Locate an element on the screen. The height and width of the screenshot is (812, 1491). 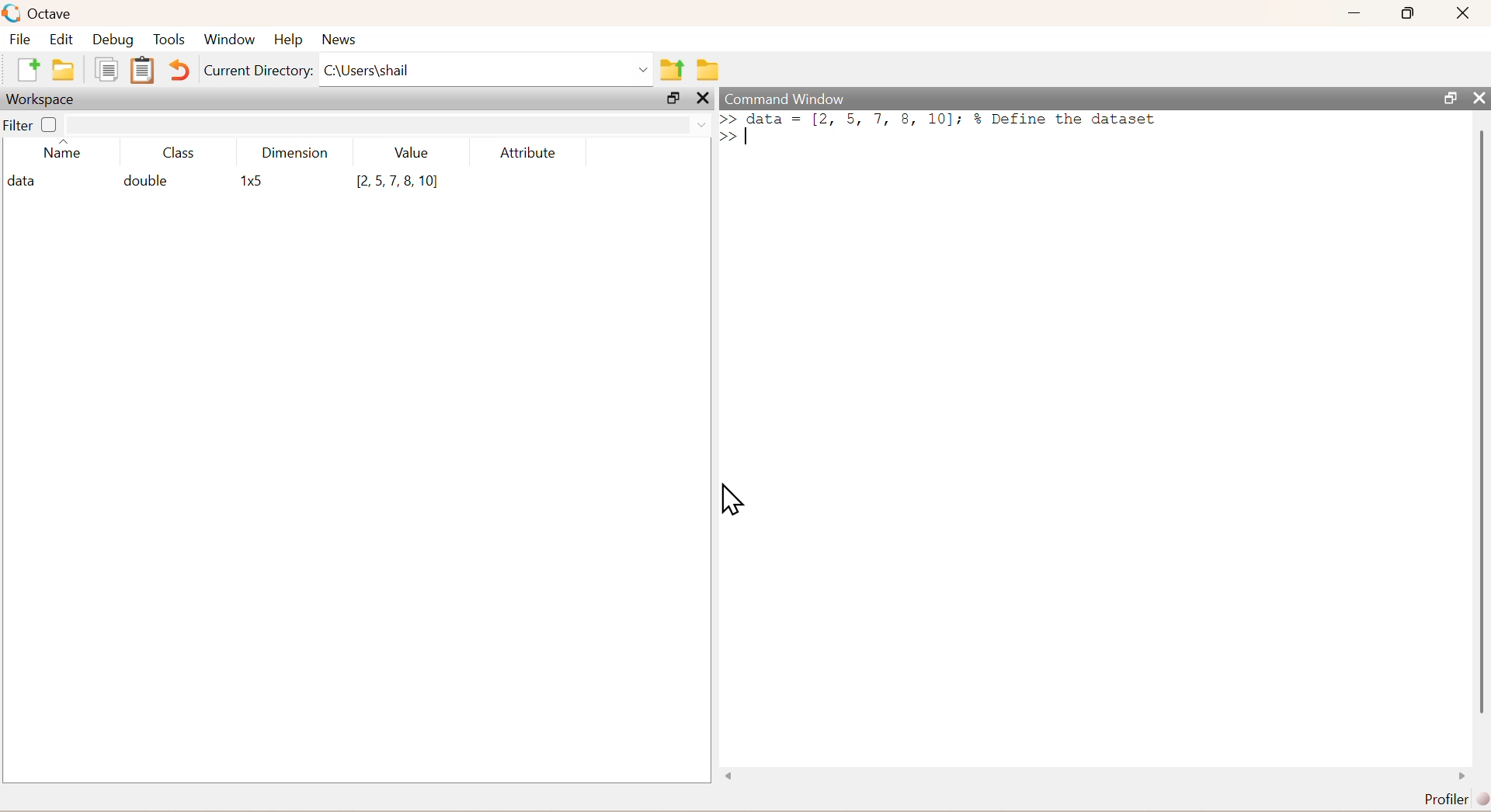
command window is located at coordinates (787, 99).